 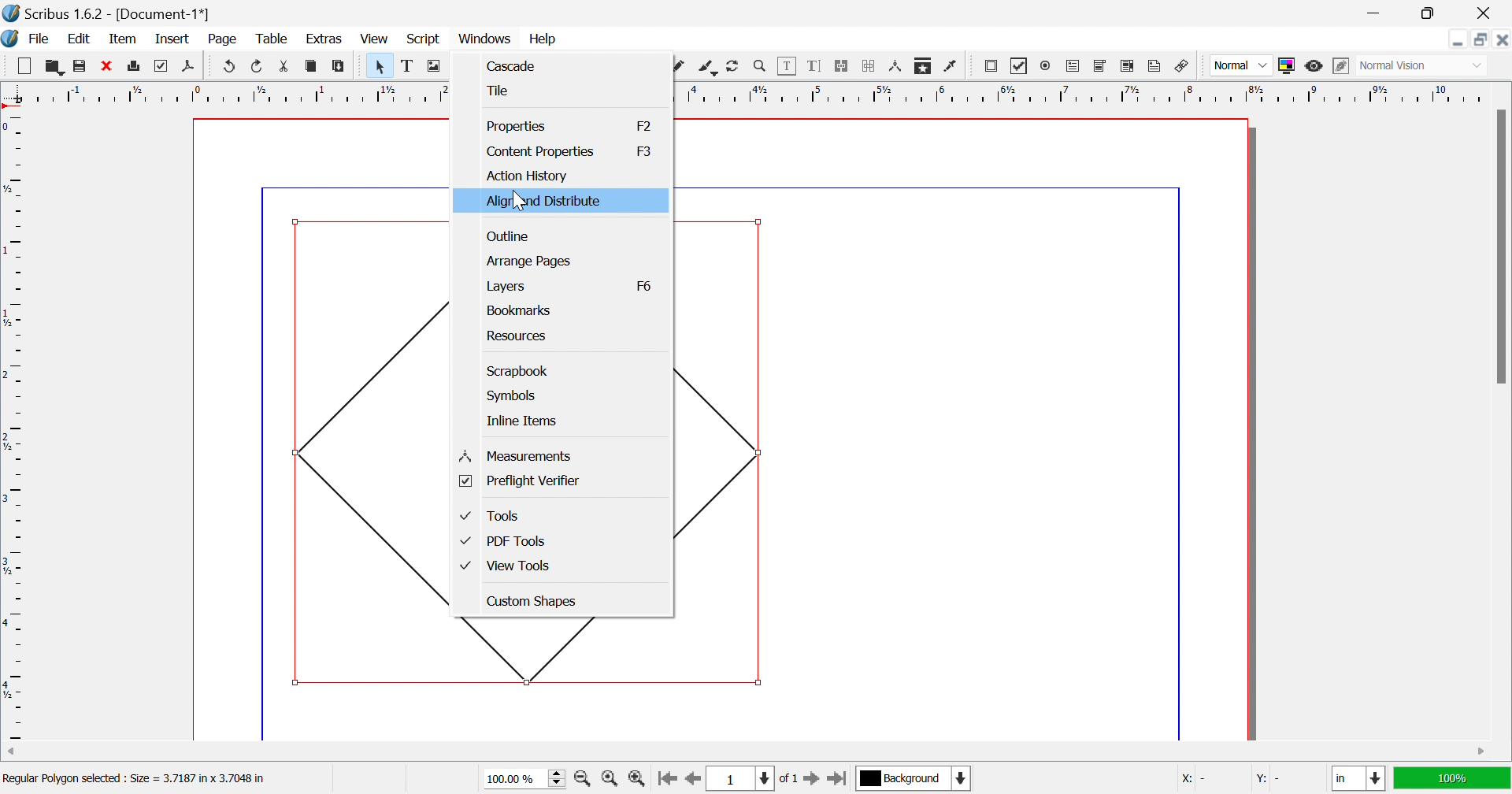 I want to click on Outline, so click(x=508, y=238).